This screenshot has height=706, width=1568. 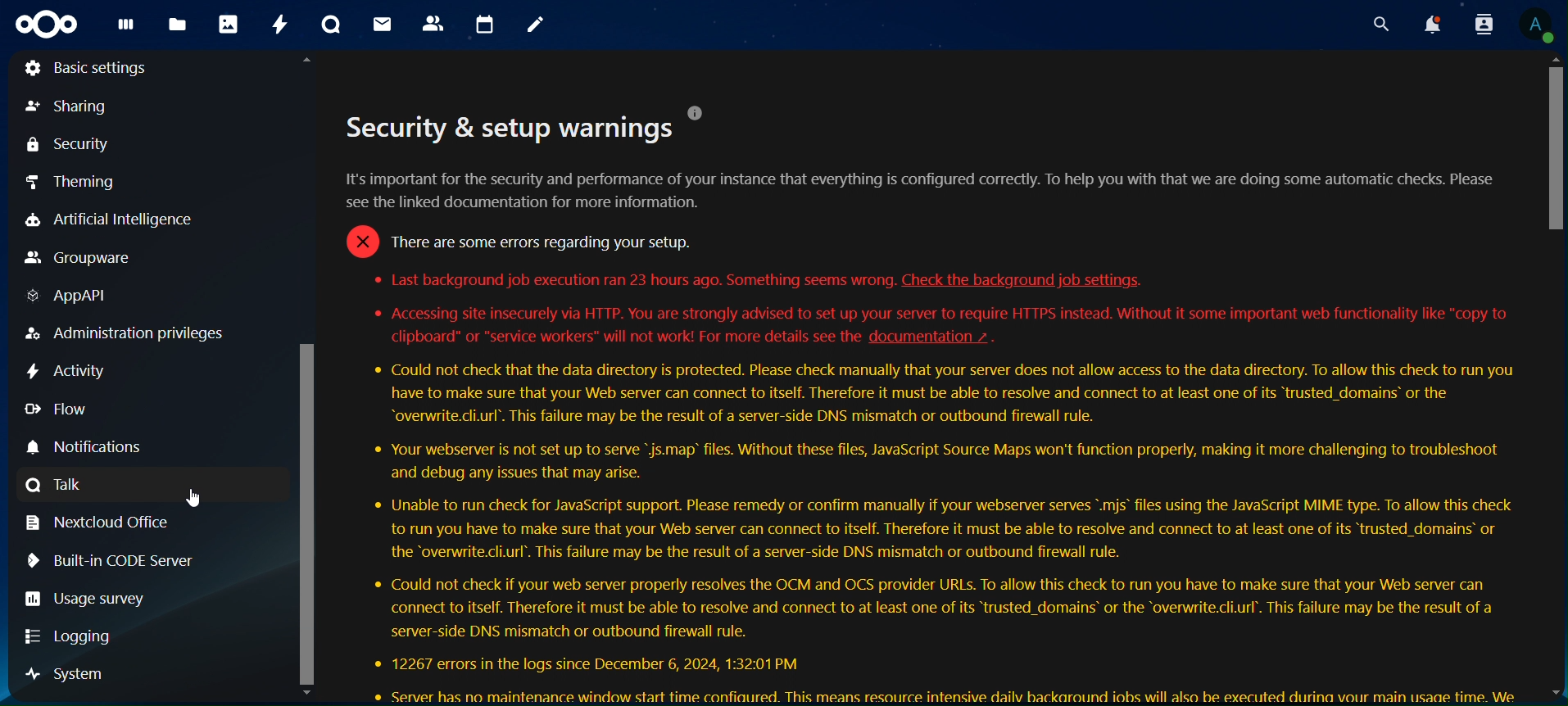 What do you see at coordinates (66, 296) in the screenshot?
I see `AppAPI` at bounding box center [66, 296].